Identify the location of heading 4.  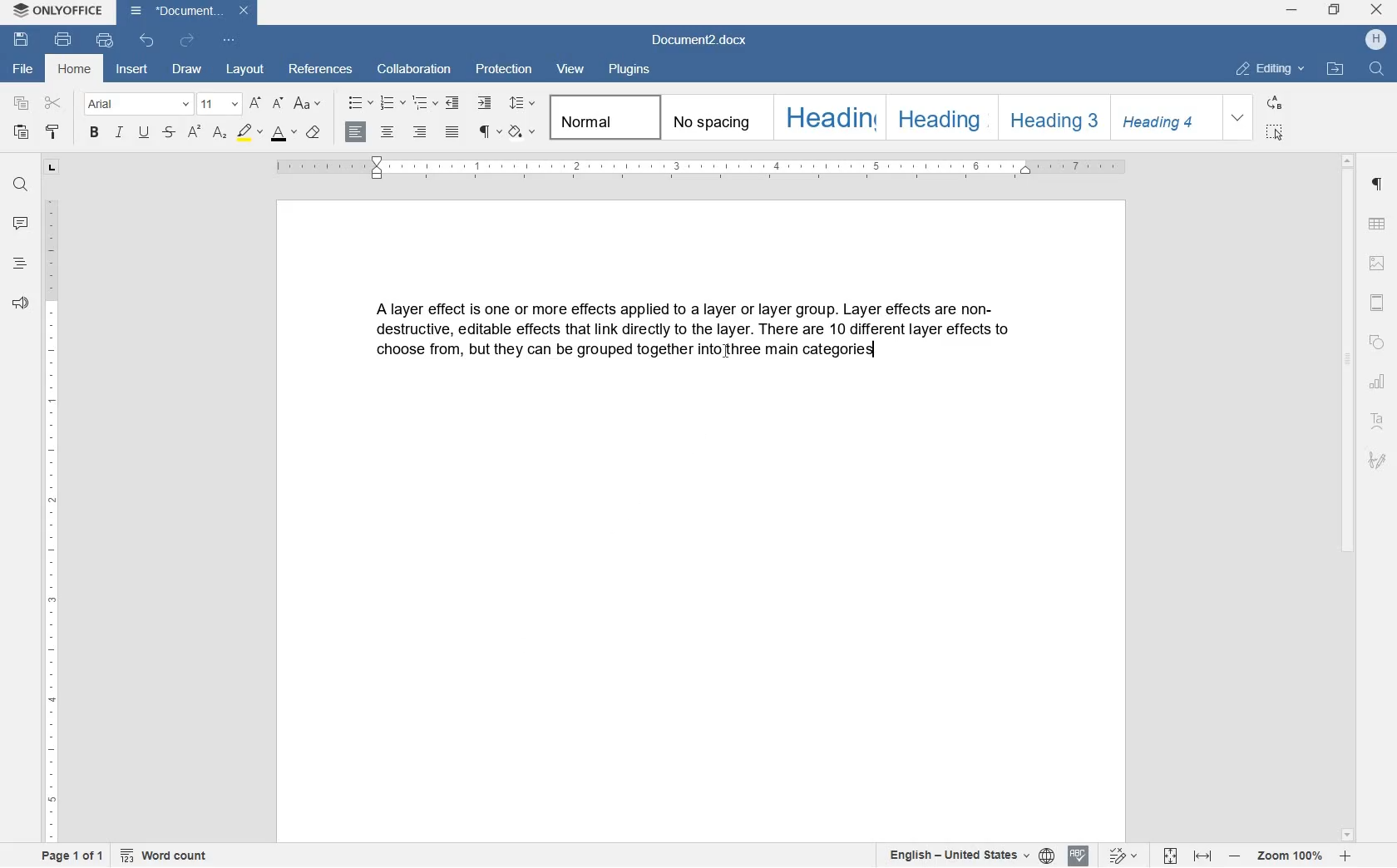
(1164, 116).